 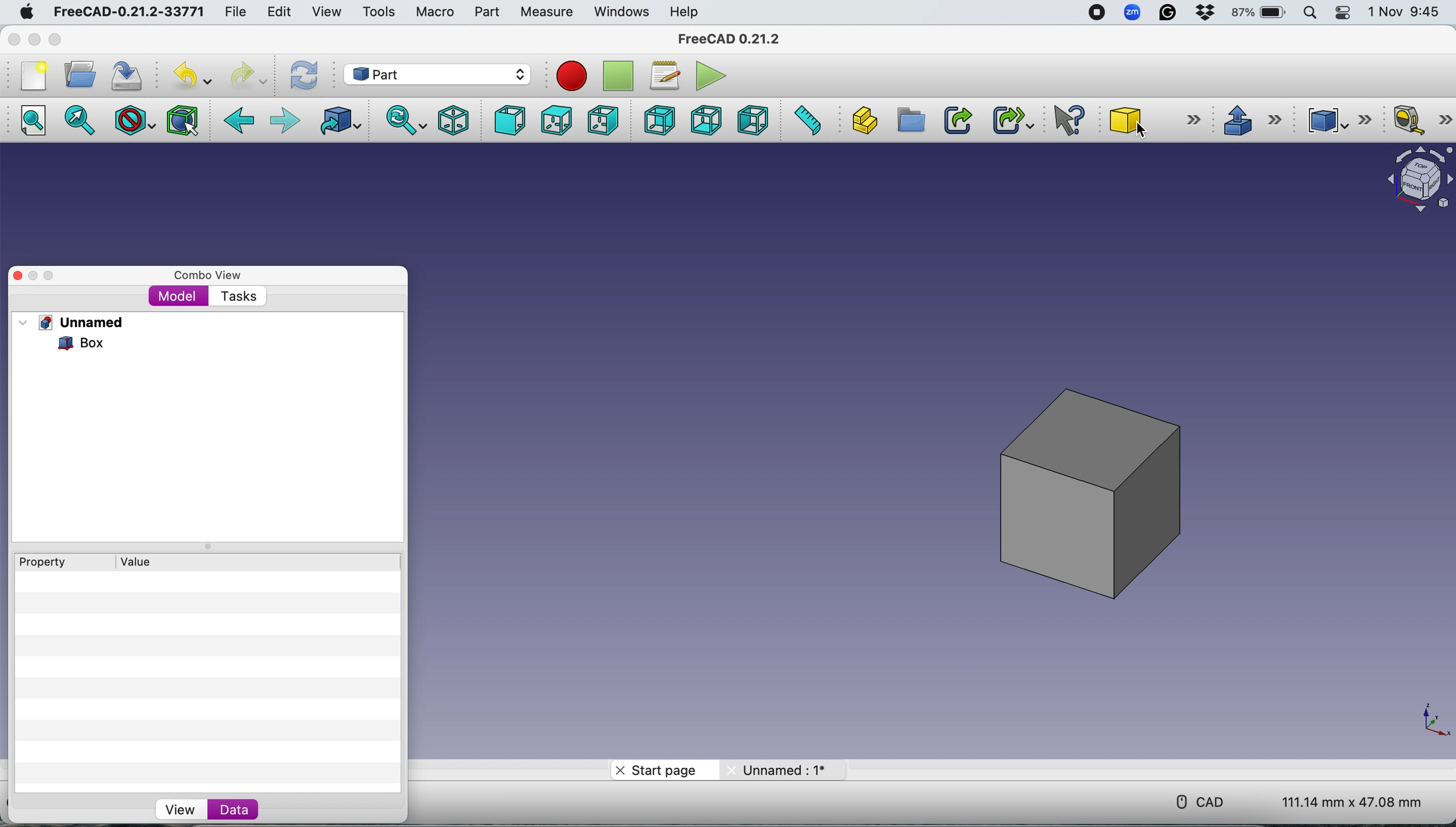 I want to click on Refresh, so click(x=307, y=75).